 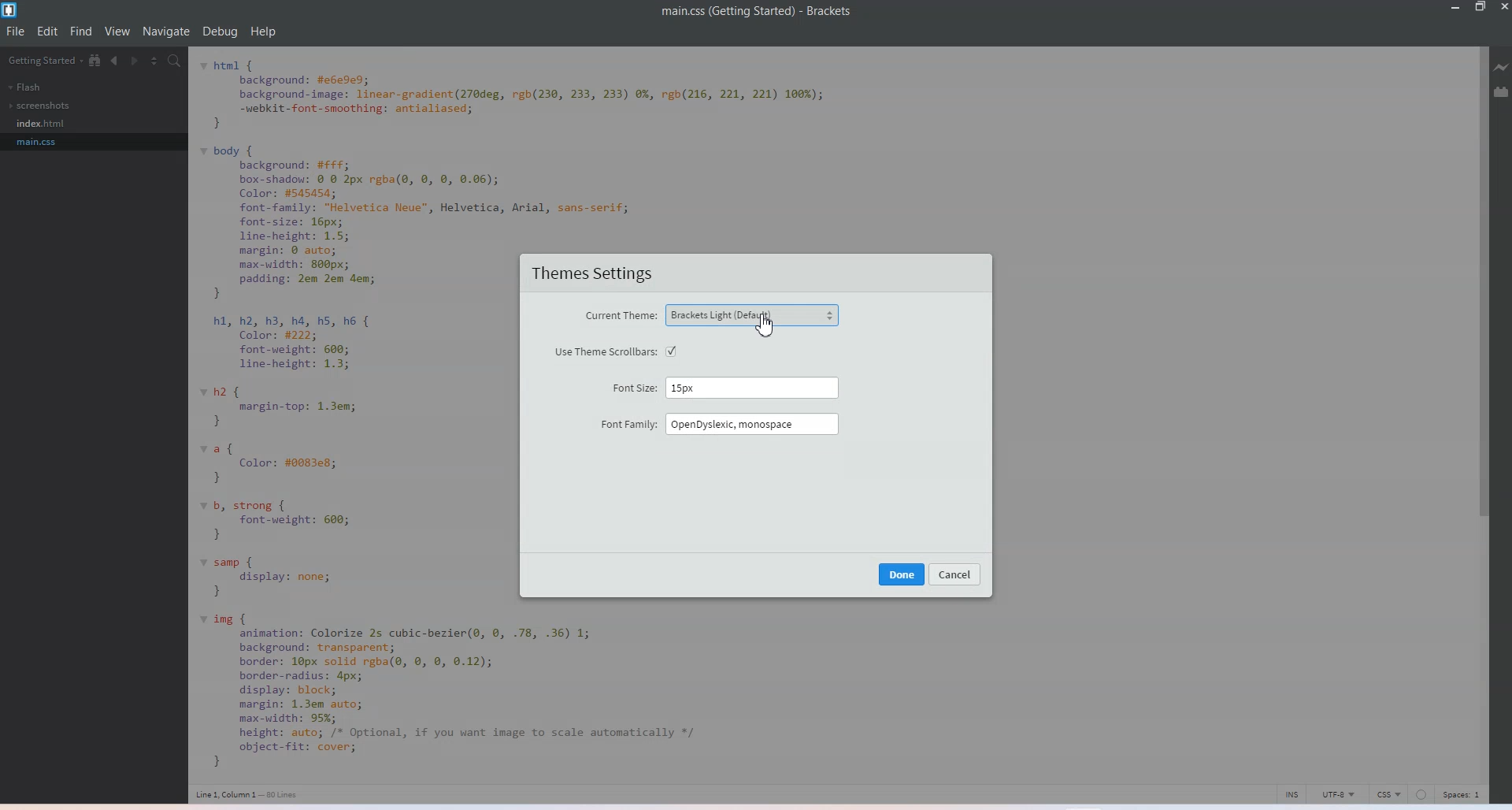 I want to click on Maximize, so click(x=1481, y=8).